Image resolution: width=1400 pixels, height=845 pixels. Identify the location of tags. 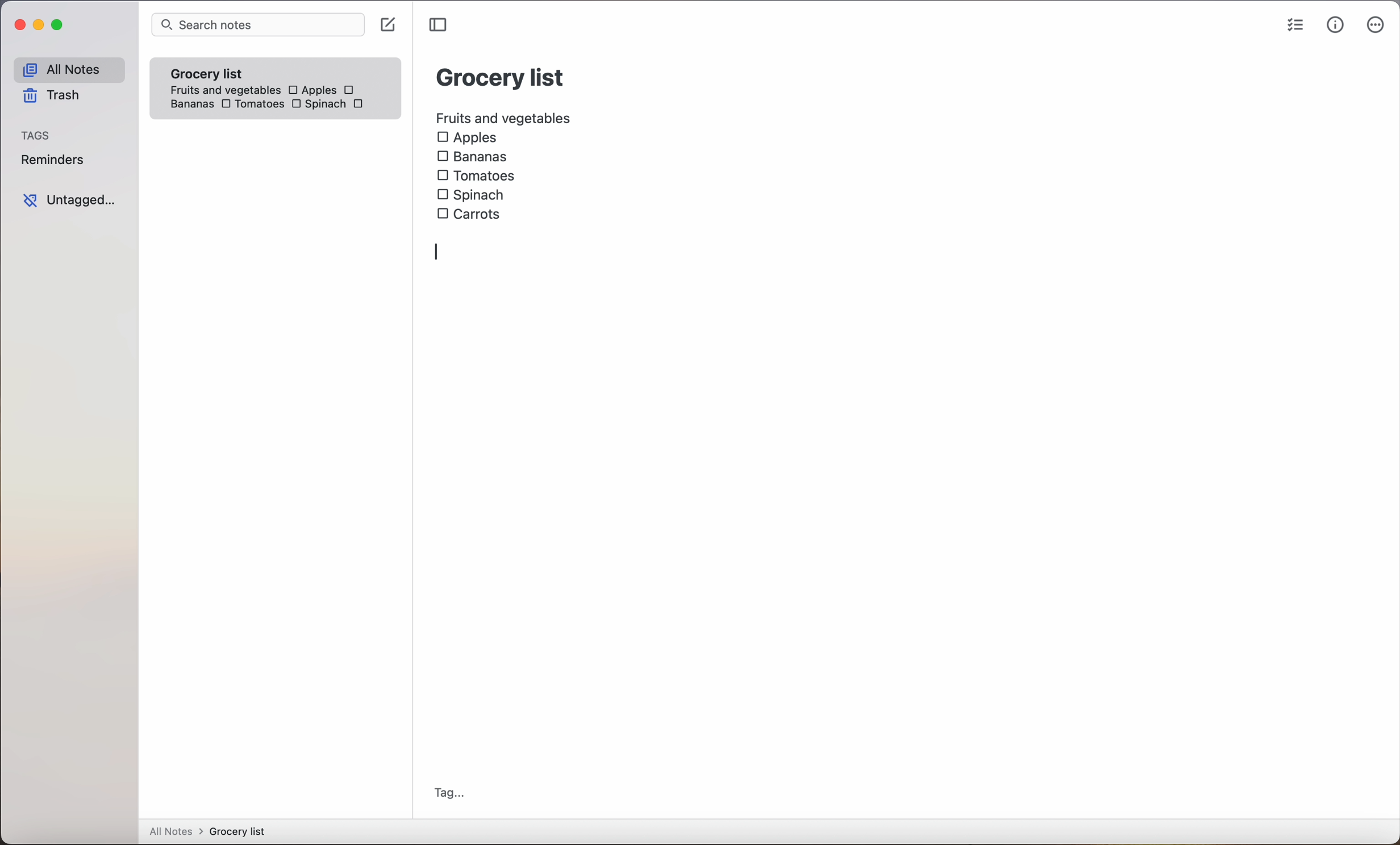
(37, 136).